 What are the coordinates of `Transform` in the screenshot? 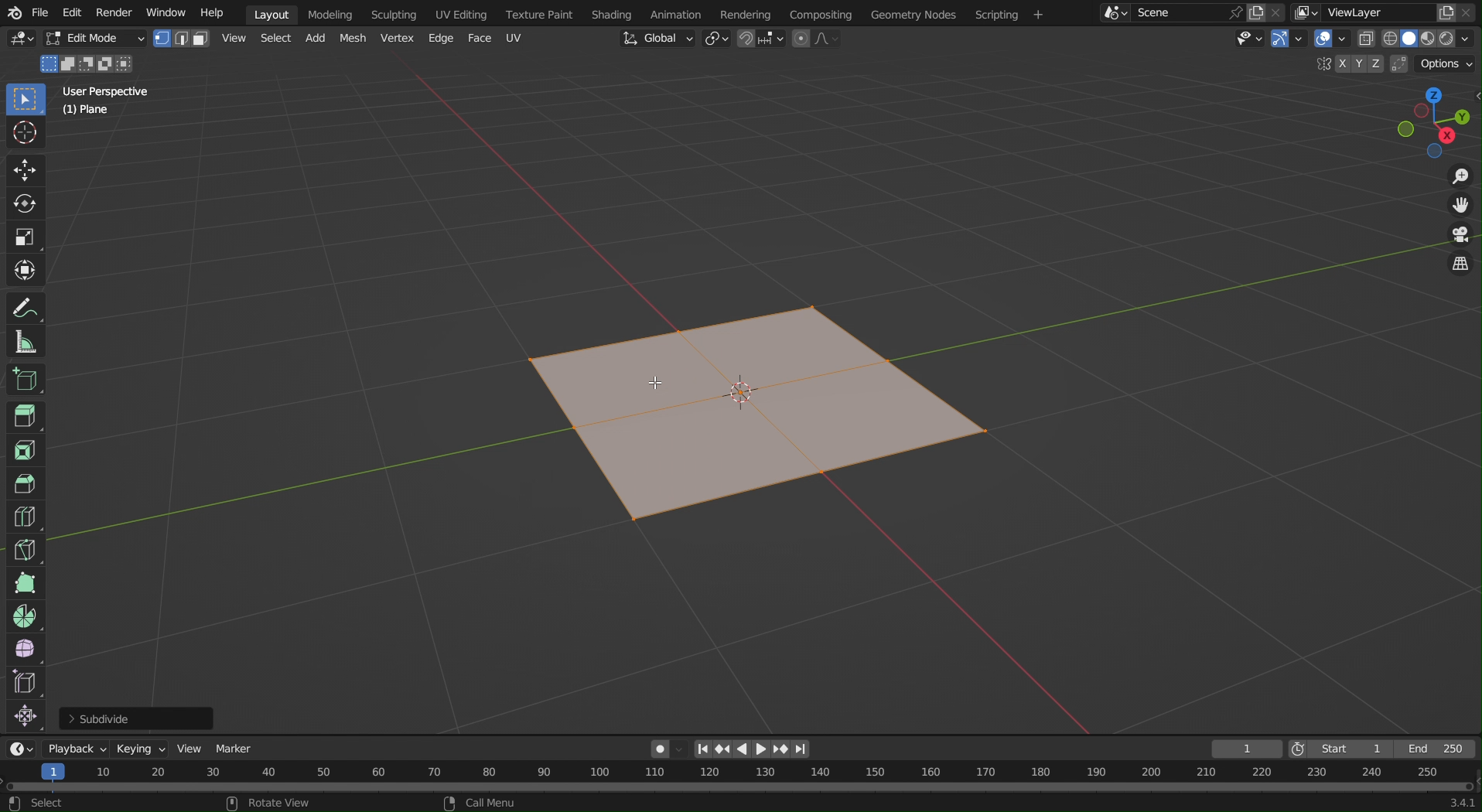 It's located at (27, 270).